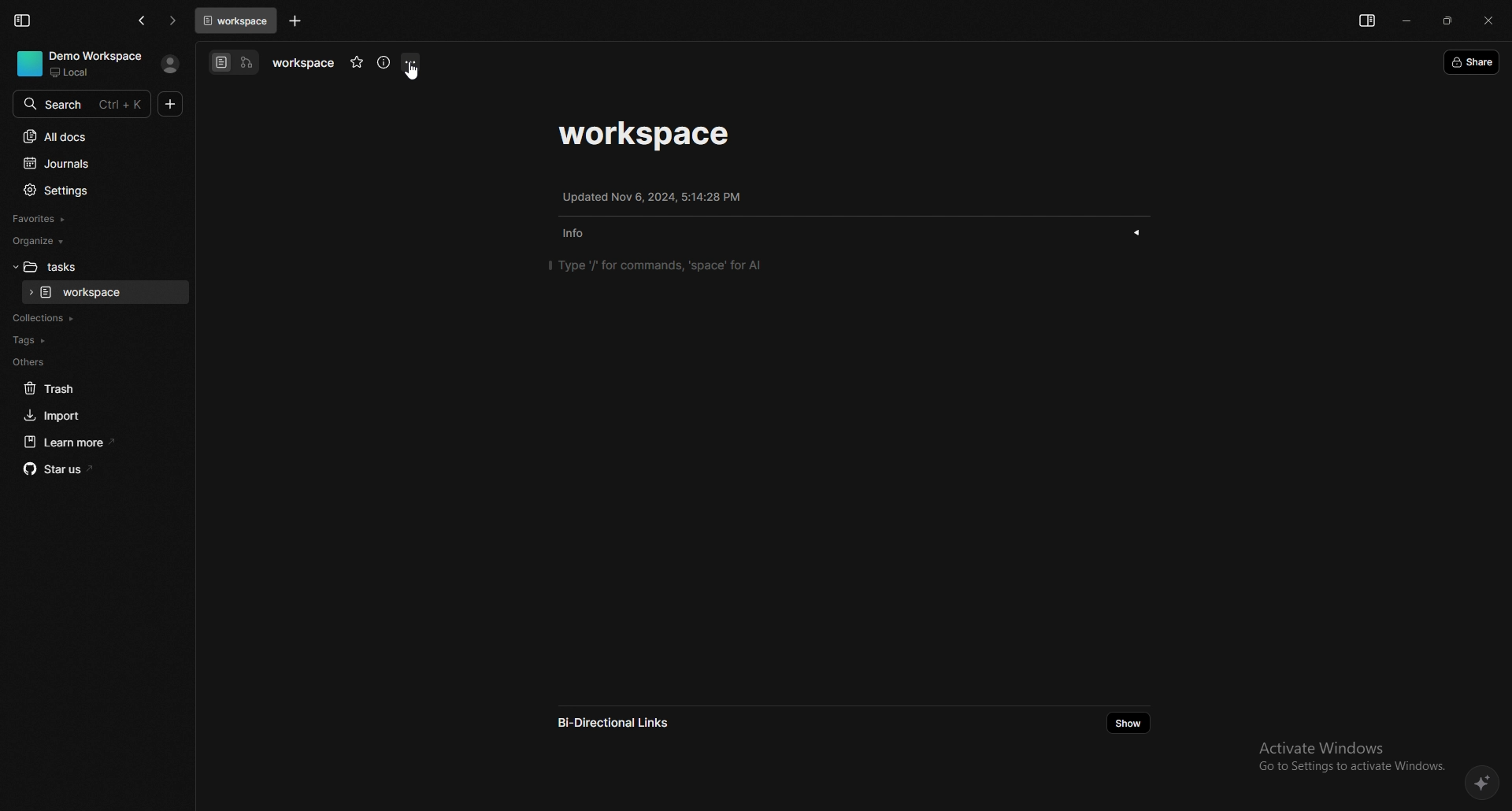  What do you see at coordinates (84, 241) in the screenshot?
I see `organize` at bounding box center [84, 241].